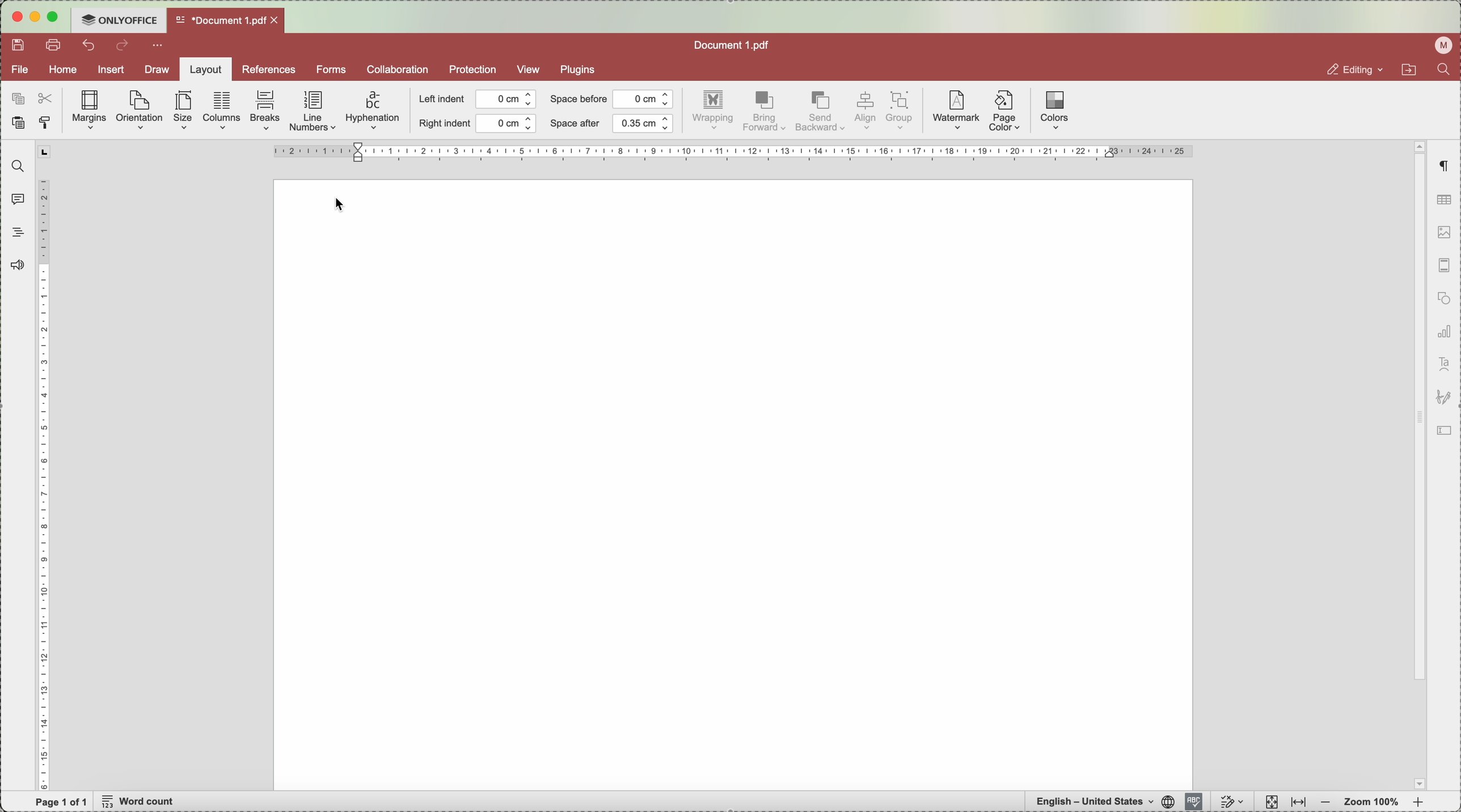 The width and height of the screenshot is (1461, 812). I want to click on forms, so click(331, 69).